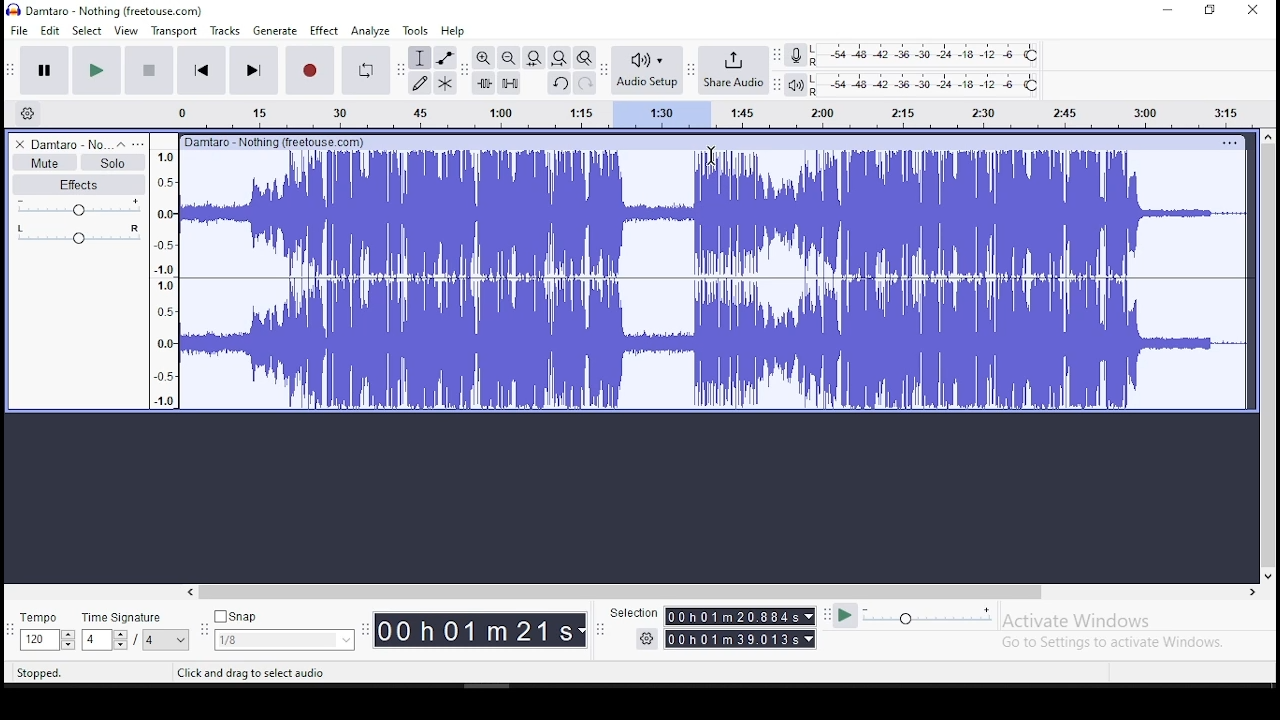 Image resolution: width=1280 pixels, height=720 pixels. What do you see at coordinates (646, 68) in the screenshot?
I see `audio setup` at bounding box center [646, 68].